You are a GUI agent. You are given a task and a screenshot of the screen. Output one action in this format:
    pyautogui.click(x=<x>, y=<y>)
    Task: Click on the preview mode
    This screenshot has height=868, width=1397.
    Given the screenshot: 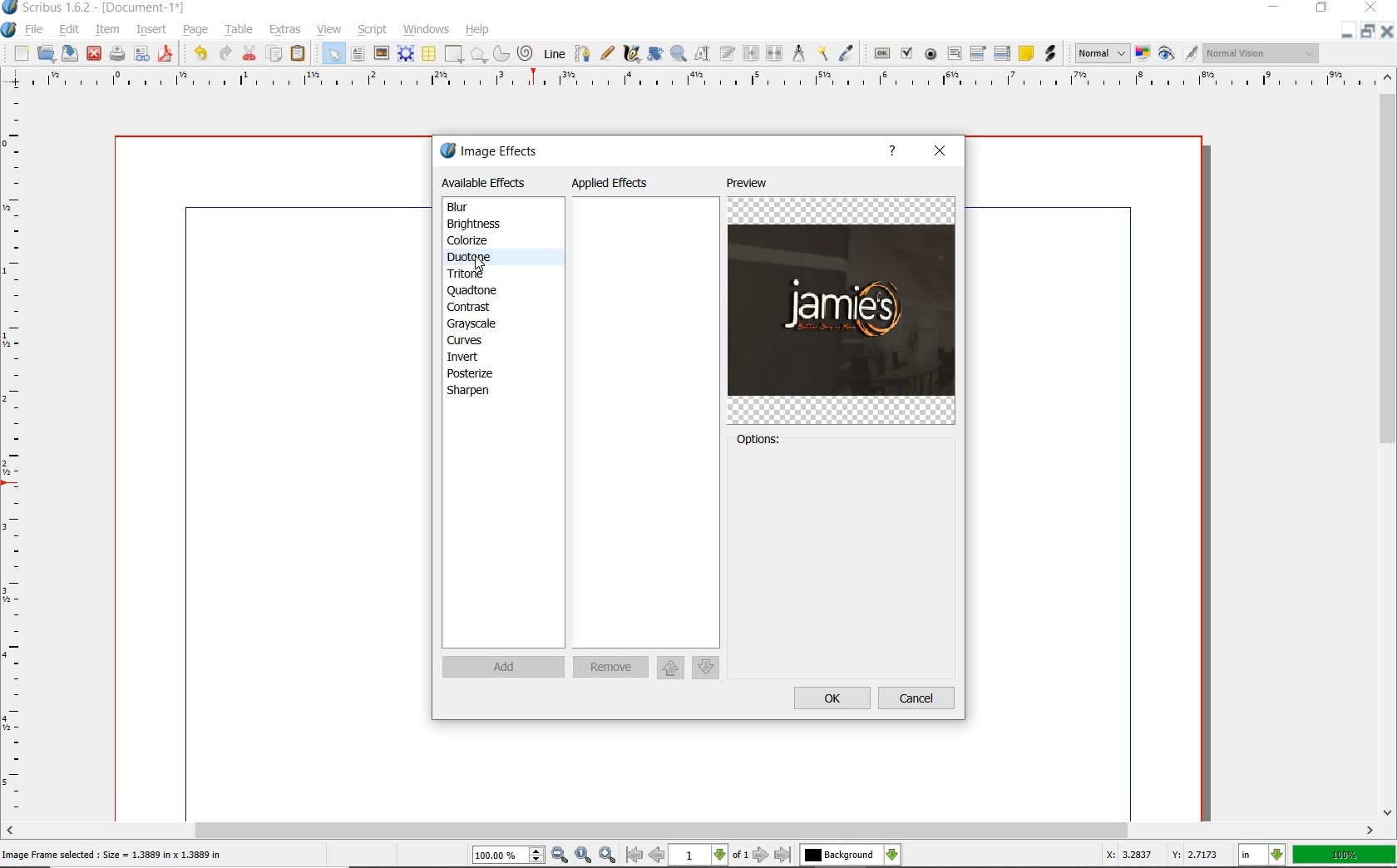 What is the action you would take?
    pyautogui.click(x=1177, y=54)
    